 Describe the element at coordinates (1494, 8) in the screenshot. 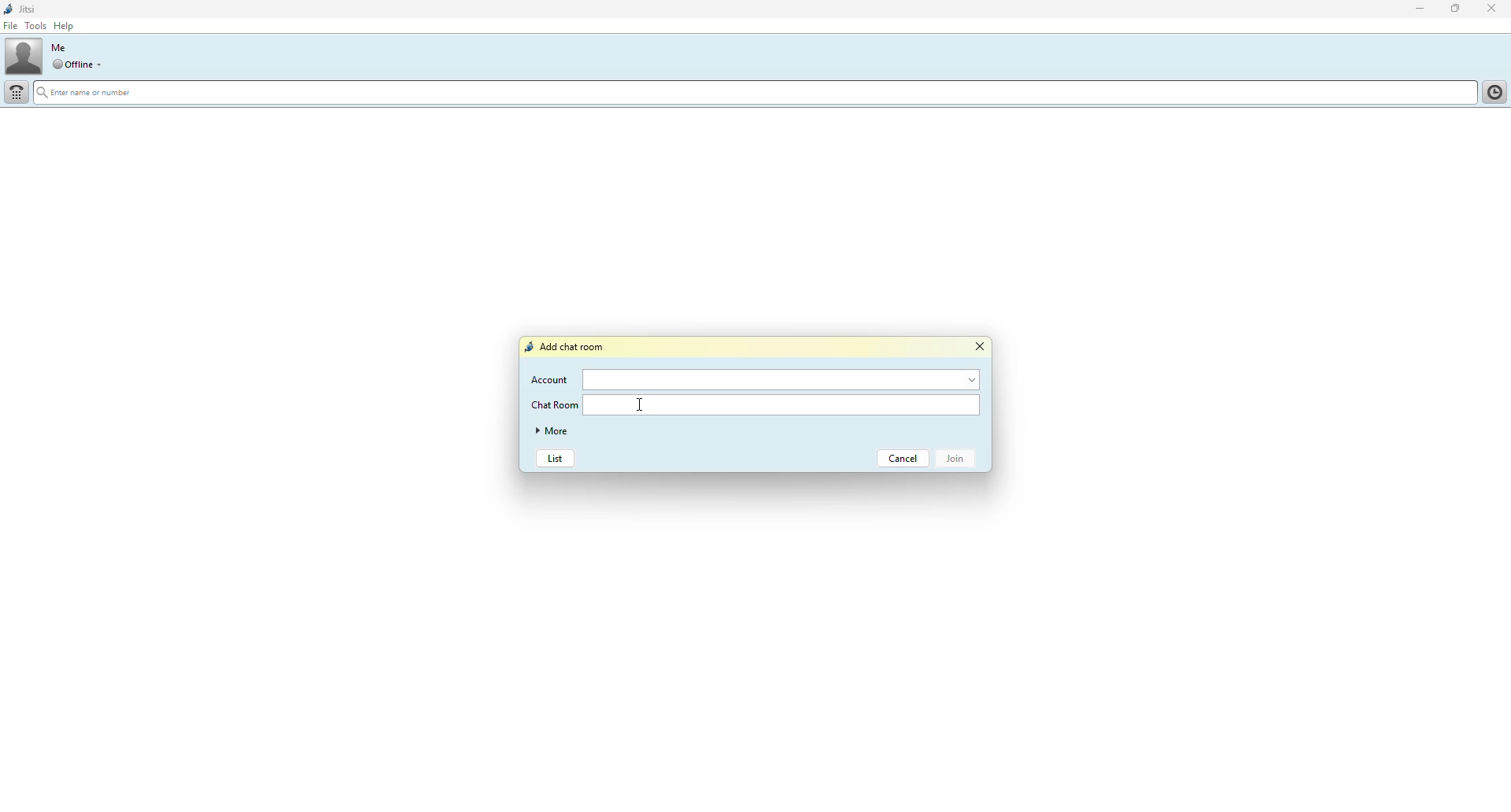

I see `close` at that location.